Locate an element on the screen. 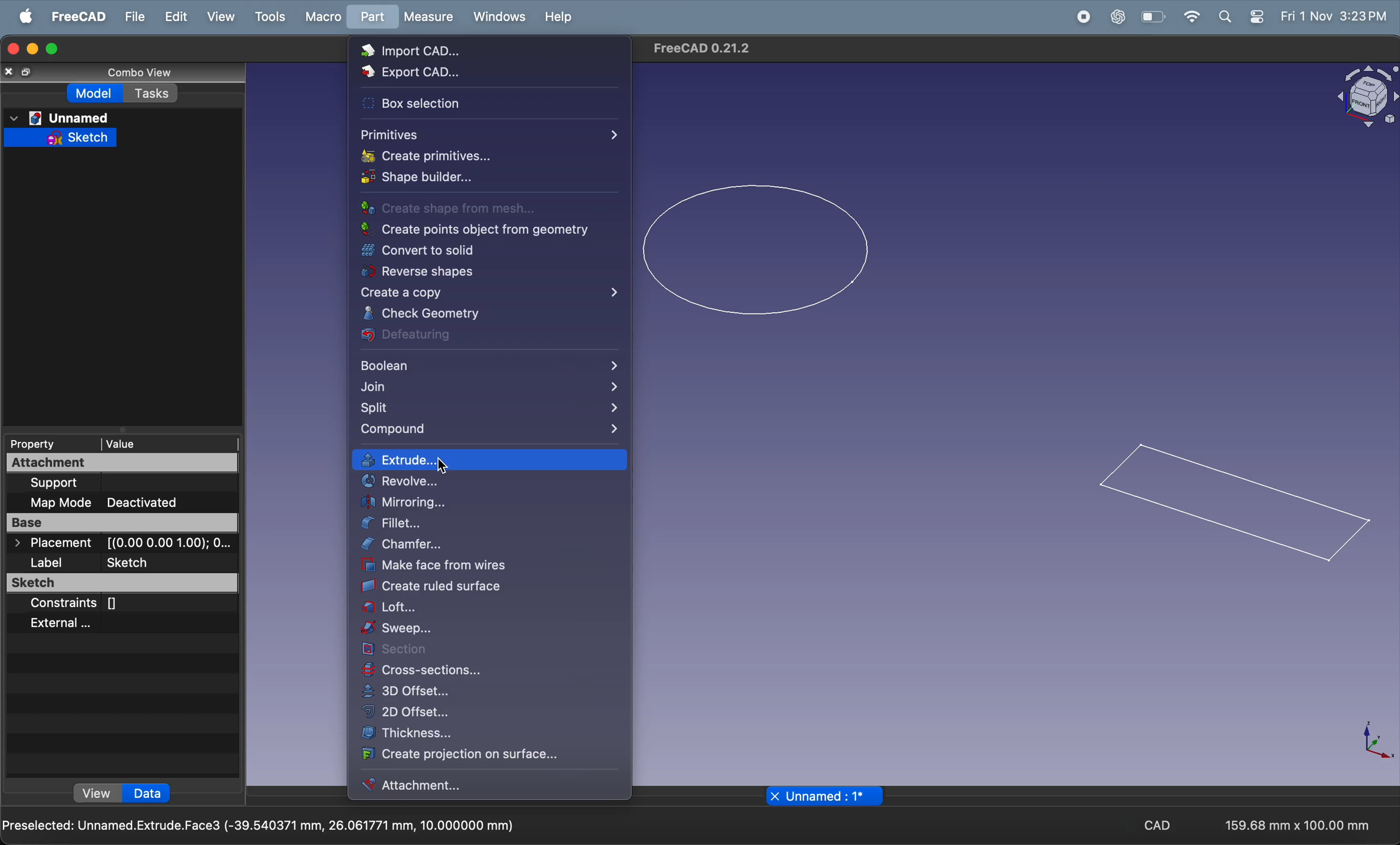 This screenshot has height=845, width=1400. Attachment... is located at coordinates (441, 785).